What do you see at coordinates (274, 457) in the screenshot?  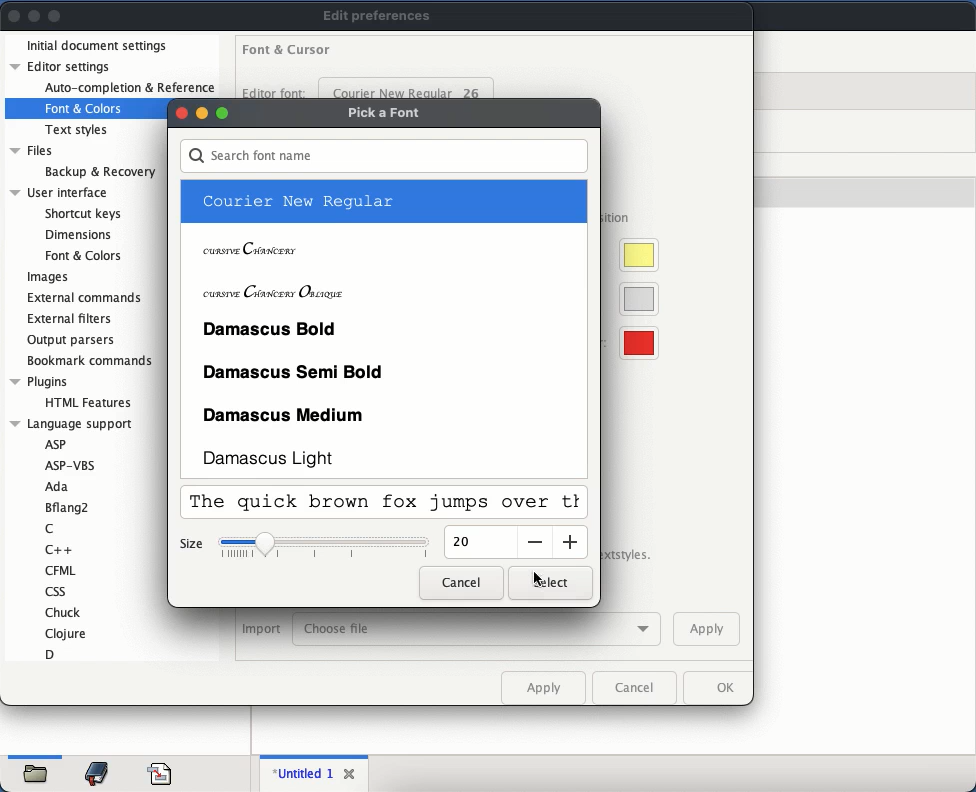 I see `Damascus Light` at bounding box center [274, 457].